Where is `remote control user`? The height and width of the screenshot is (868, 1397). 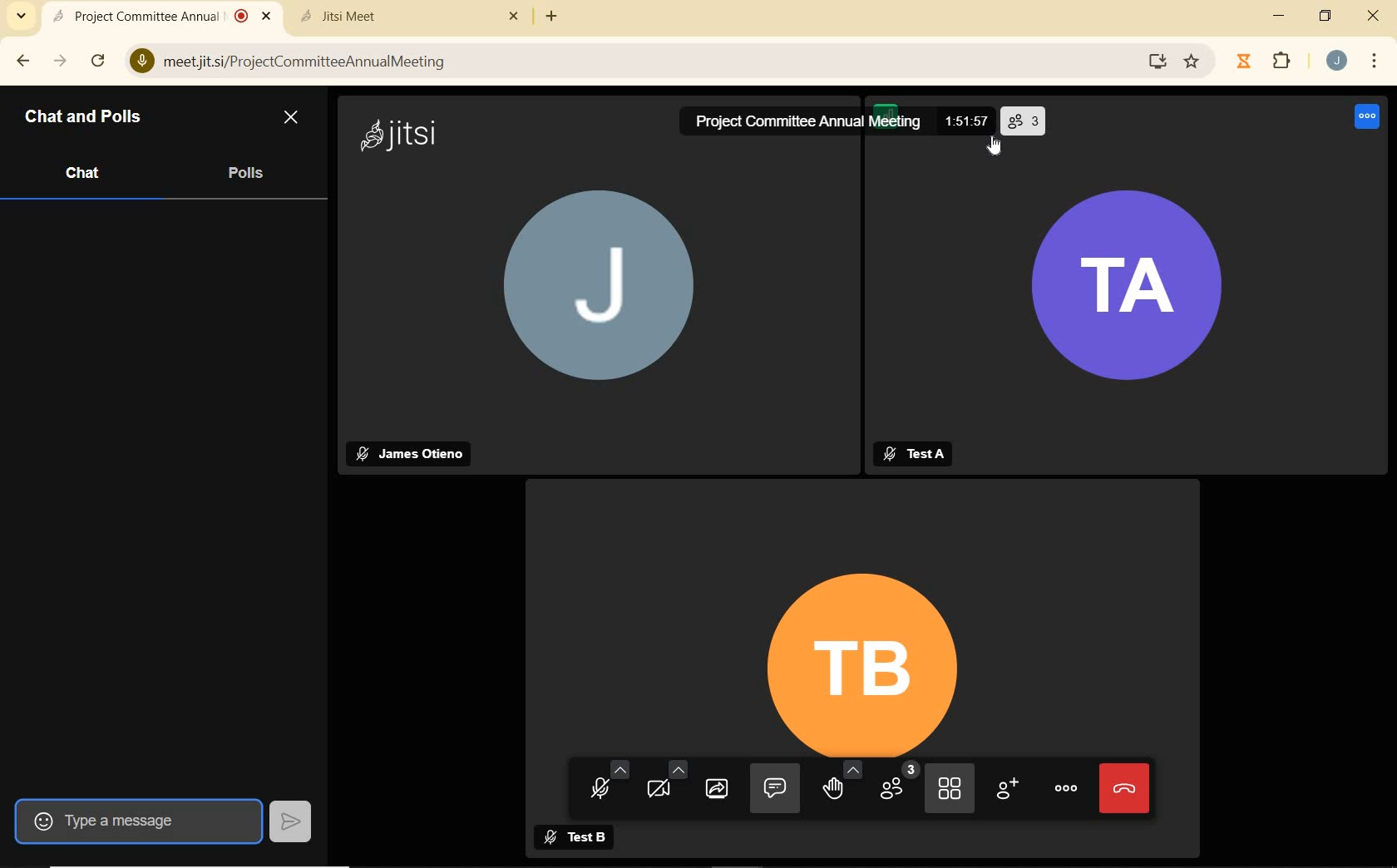 remote control user is located at coordinates (1365, 116).